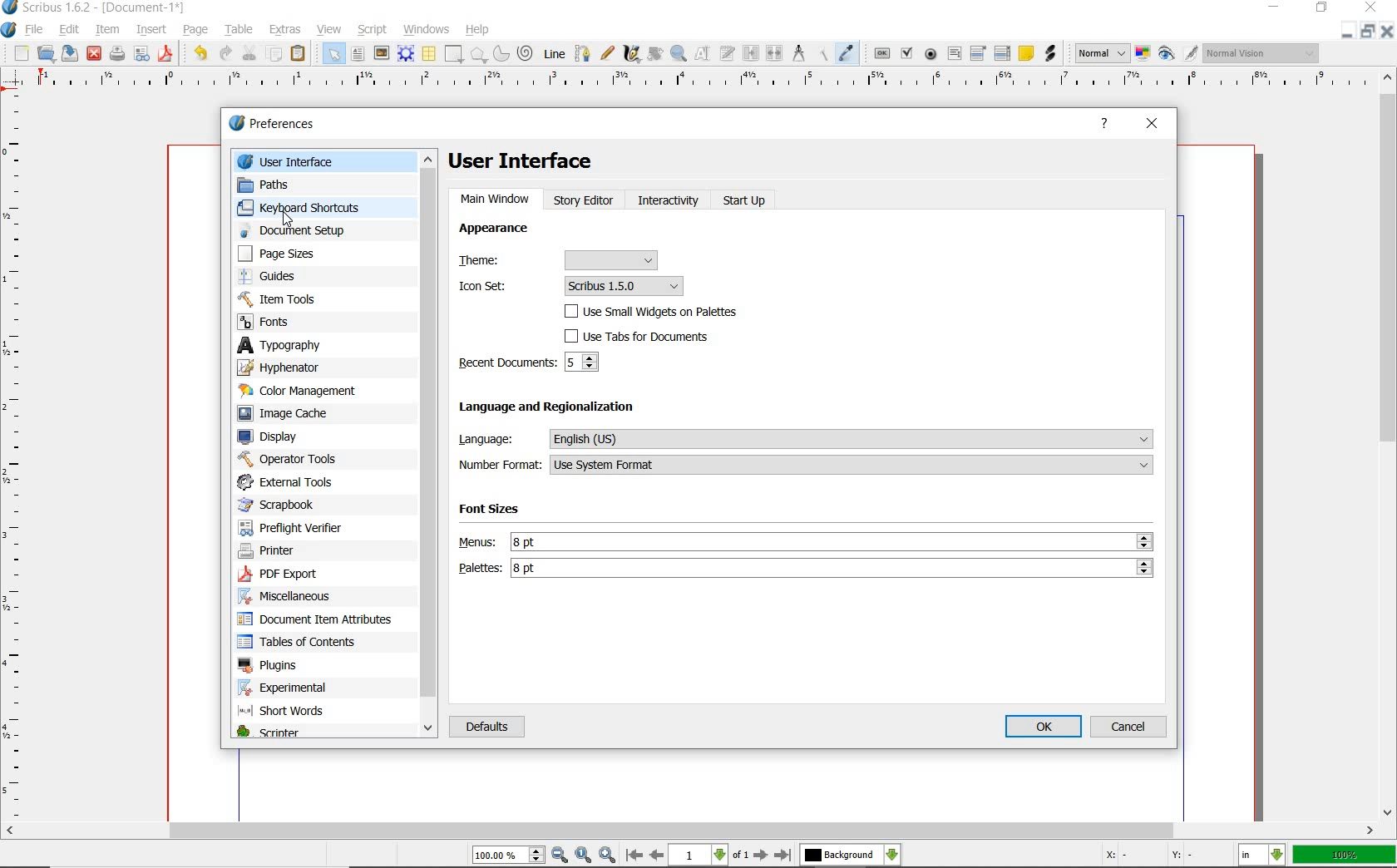 The height and width of the screenshot is (868, 1397). What do you see at coordinates (703, 53) in the screenshot?
I see `edit contents of frame` at bounding box center [703, 53].